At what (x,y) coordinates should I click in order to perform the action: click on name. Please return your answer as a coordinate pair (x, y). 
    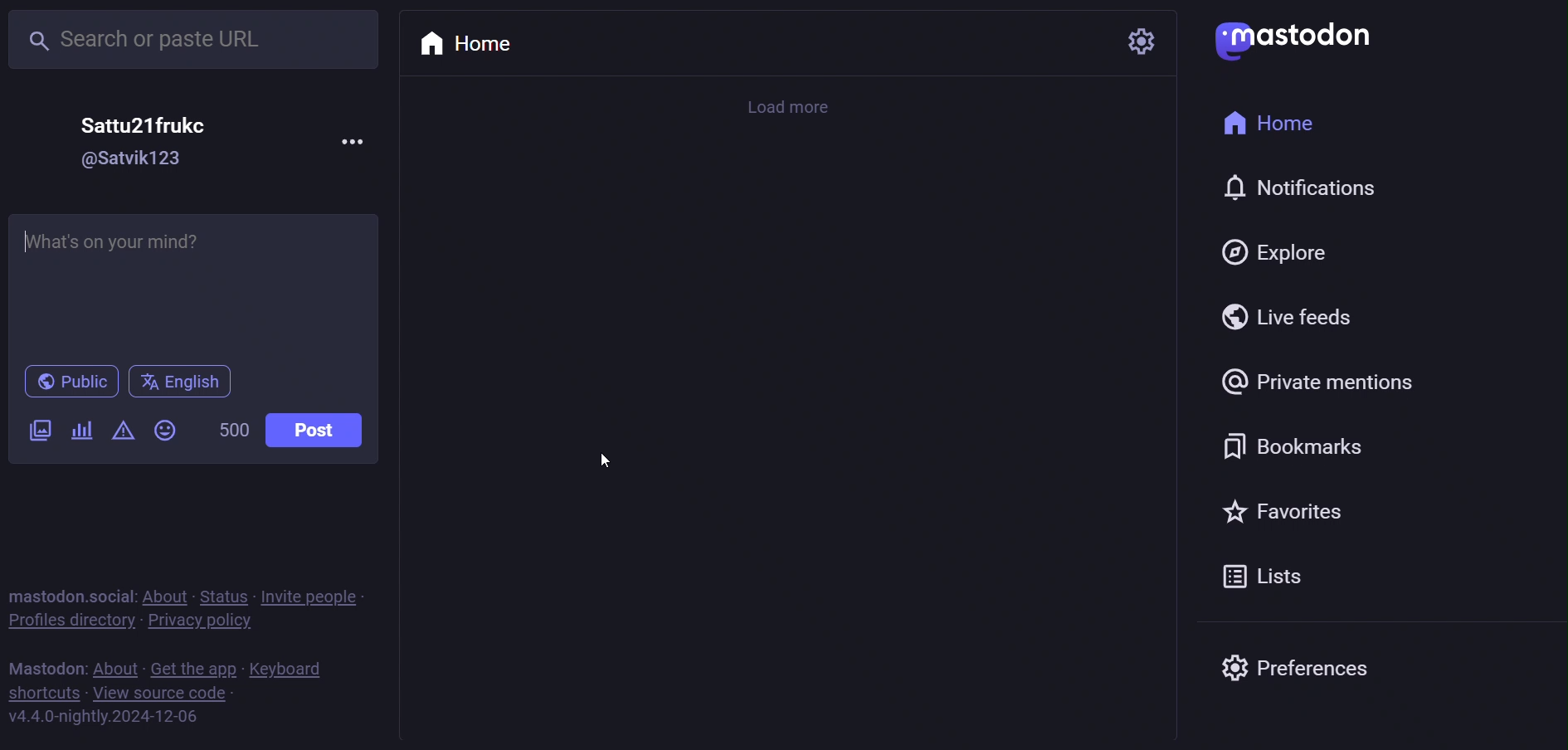
    Looking at the image, I should click on (144, 124).